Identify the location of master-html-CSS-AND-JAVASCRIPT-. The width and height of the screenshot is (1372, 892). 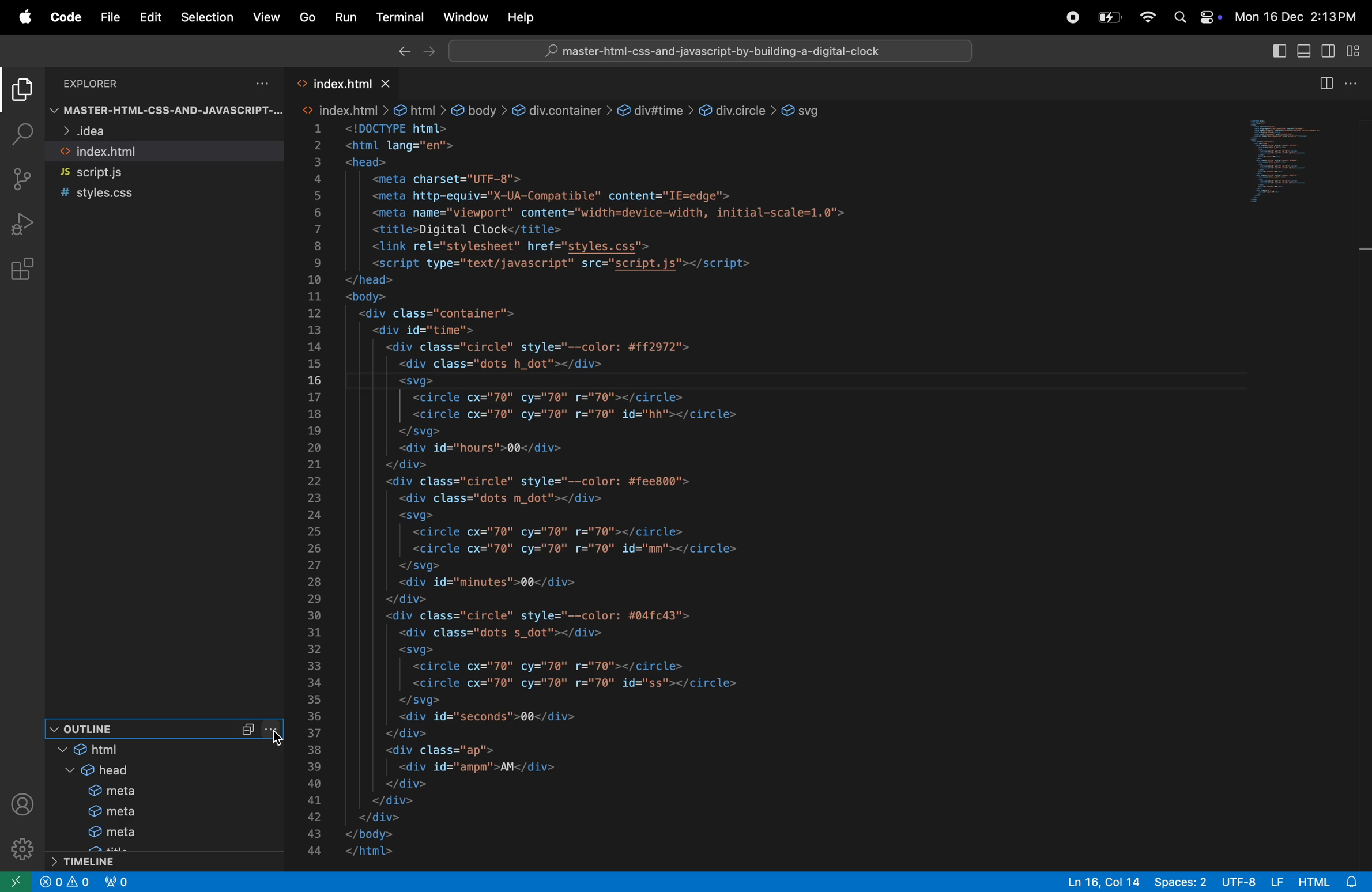
(168, 112).